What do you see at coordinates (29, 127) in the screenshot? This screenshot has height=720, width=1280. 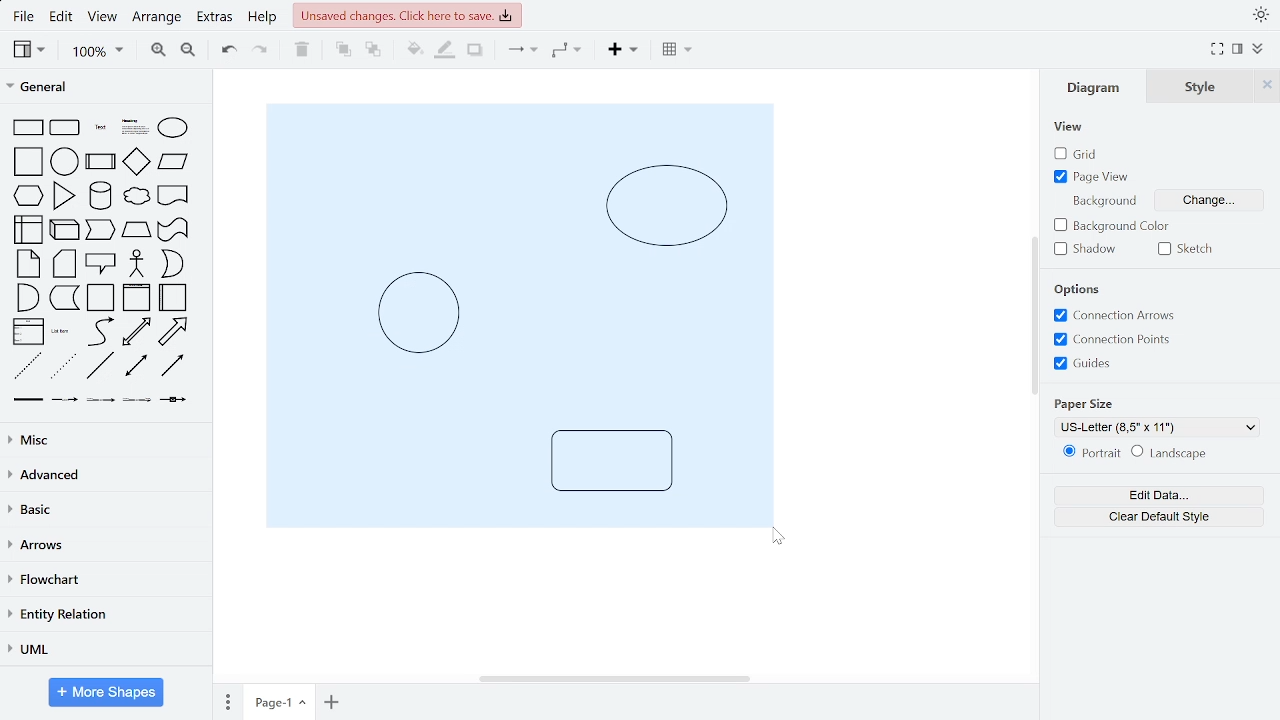 I see `rectangle` at bounding box center [29, 127].